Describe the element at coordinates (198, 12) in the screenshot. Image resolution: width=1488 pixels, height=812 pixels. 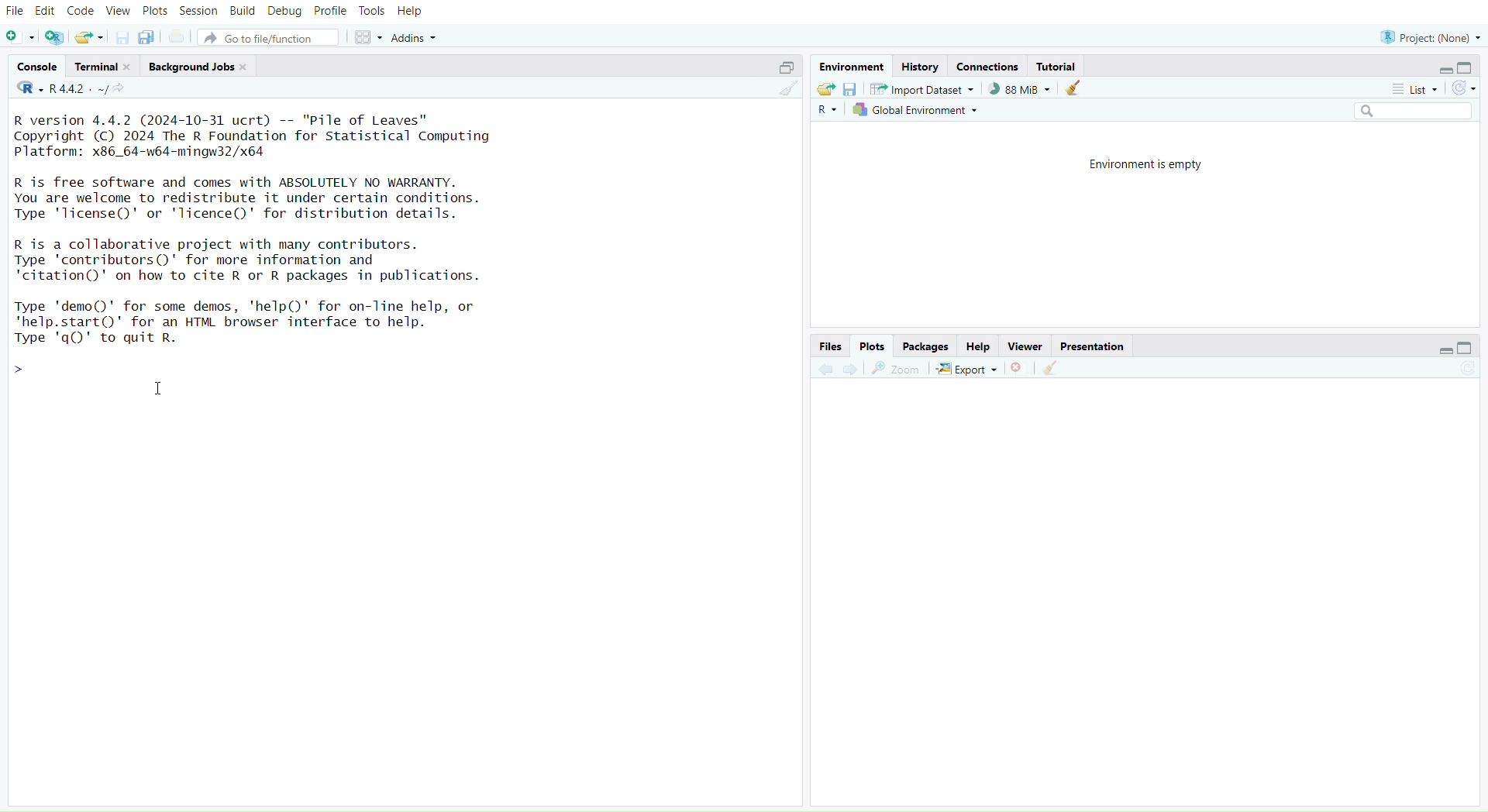
I see `session` at that location.